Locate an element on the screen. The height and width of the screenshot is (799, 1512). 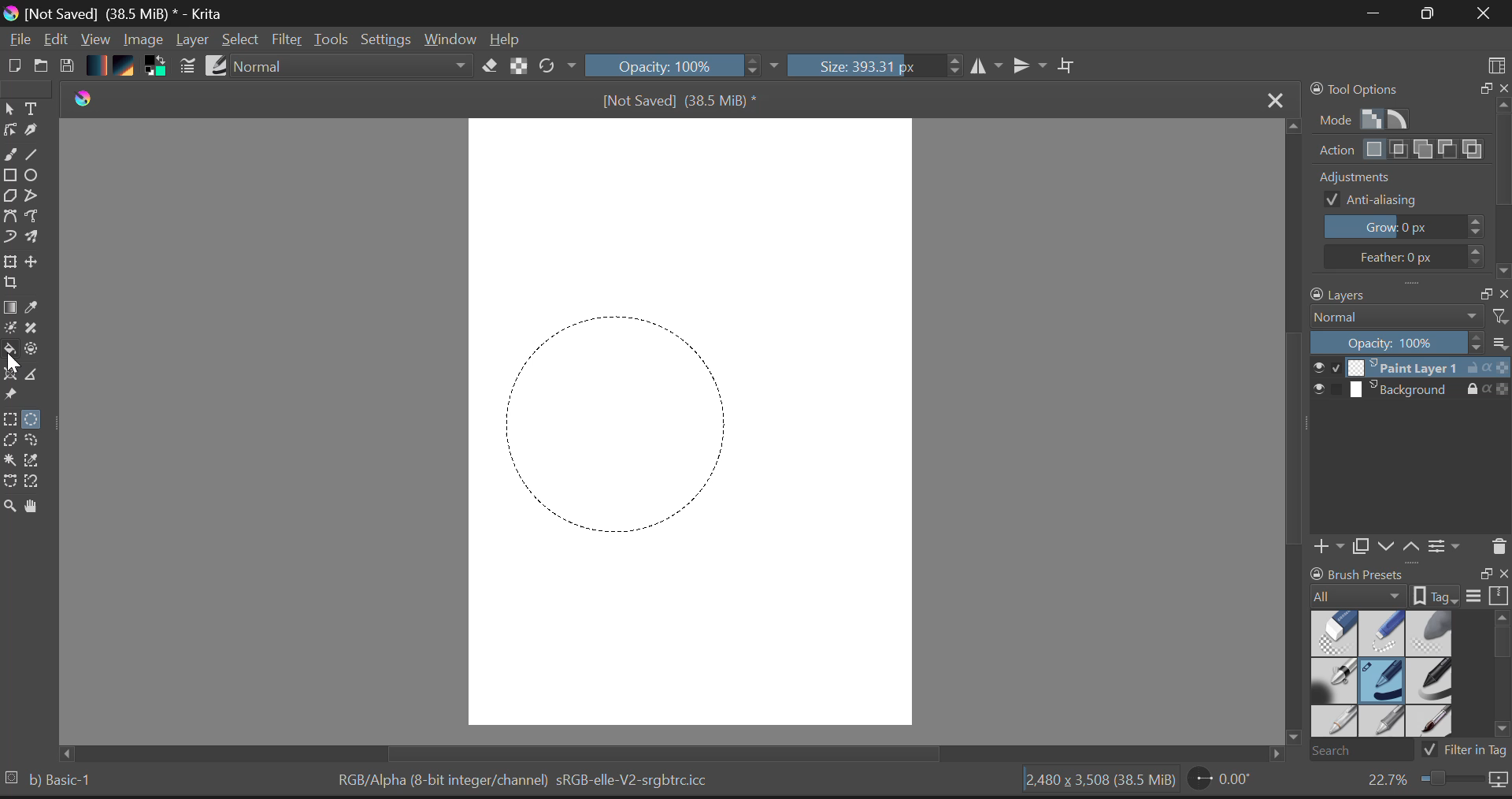
Eraser is located at coordinates (487, 66).